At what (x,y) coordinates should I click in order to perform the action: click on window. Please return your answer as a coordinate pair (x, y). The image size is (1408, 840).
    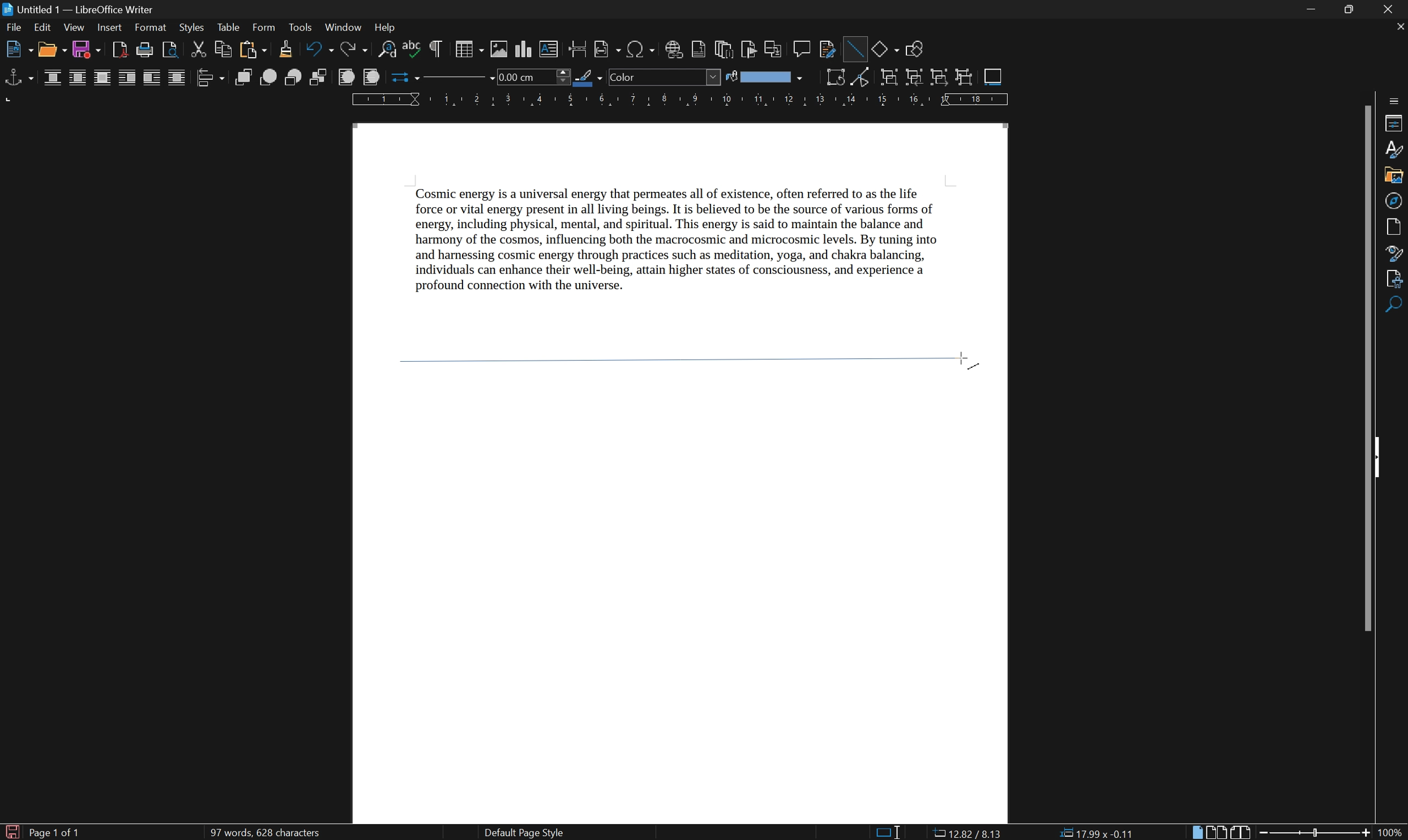
    Looking at the image, I should click on (343, 27).